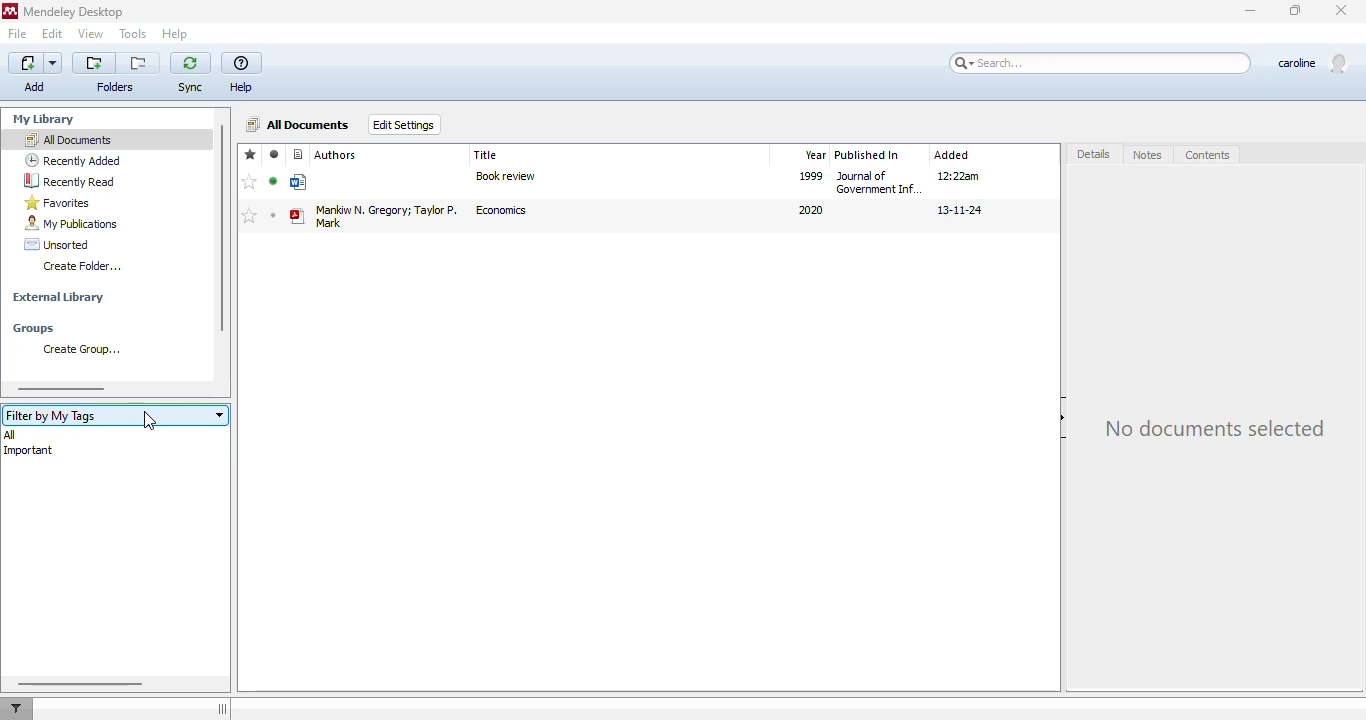 Image resolution: width=1366 pixels, height=720 pixels. What do you see at coordinates (300, 124) in the screenshot?
I see `all documents` at bounding box center [300, 124].